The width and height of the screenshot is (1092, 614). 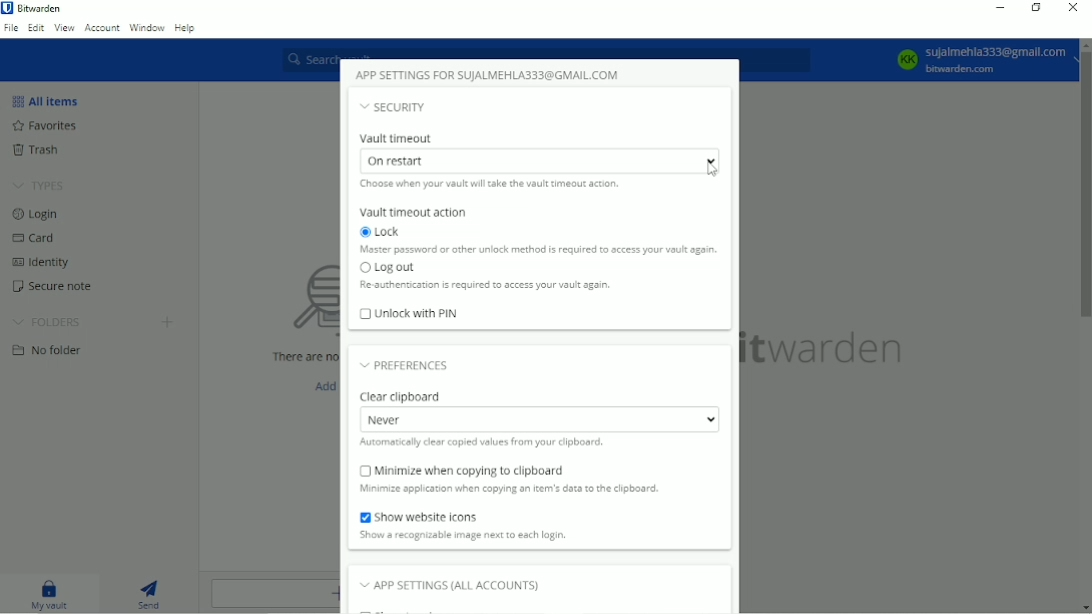 What do you see at coordinates (1084, 608) in the screenshot?
I see `scroll down` at bounding box center [1084, 608].